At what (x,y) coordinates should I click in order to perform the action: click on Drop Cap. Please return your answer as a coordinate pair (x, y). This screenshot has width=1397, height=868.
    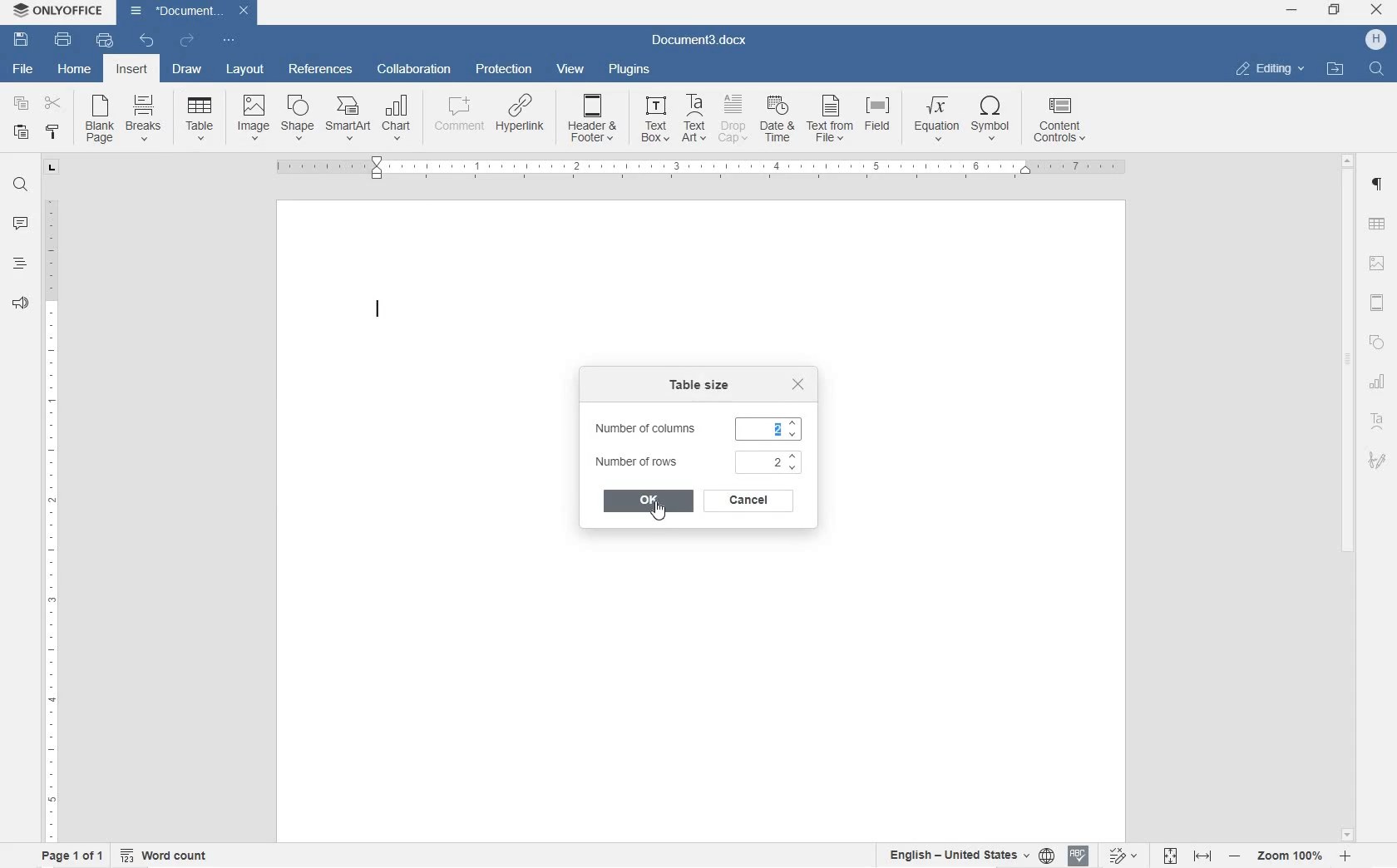
    Looking at the image, I should click on (733, 119).